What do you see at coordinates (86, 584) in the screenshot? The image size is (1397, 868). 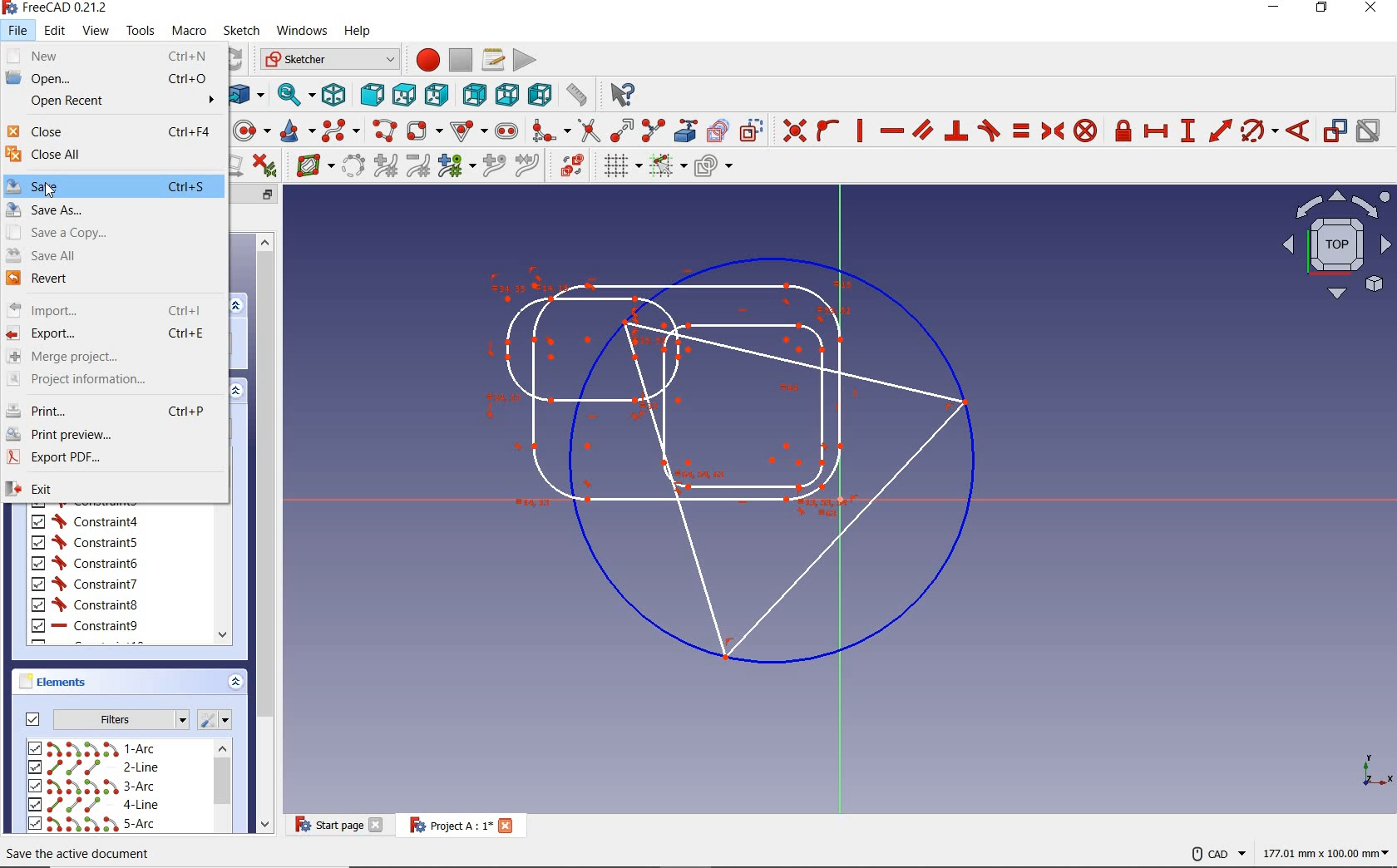 I see `constraint7` at bounding box center [86, 584].